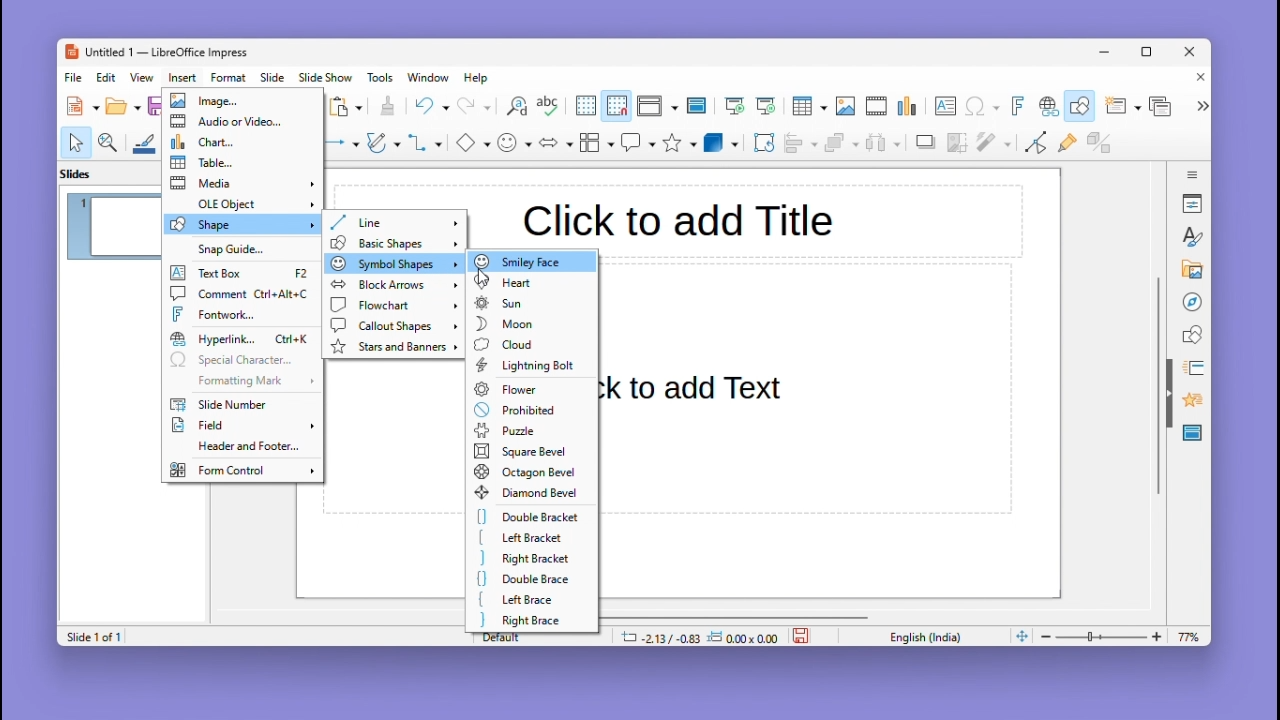  I want to click on dimensions, so click(699, 636).